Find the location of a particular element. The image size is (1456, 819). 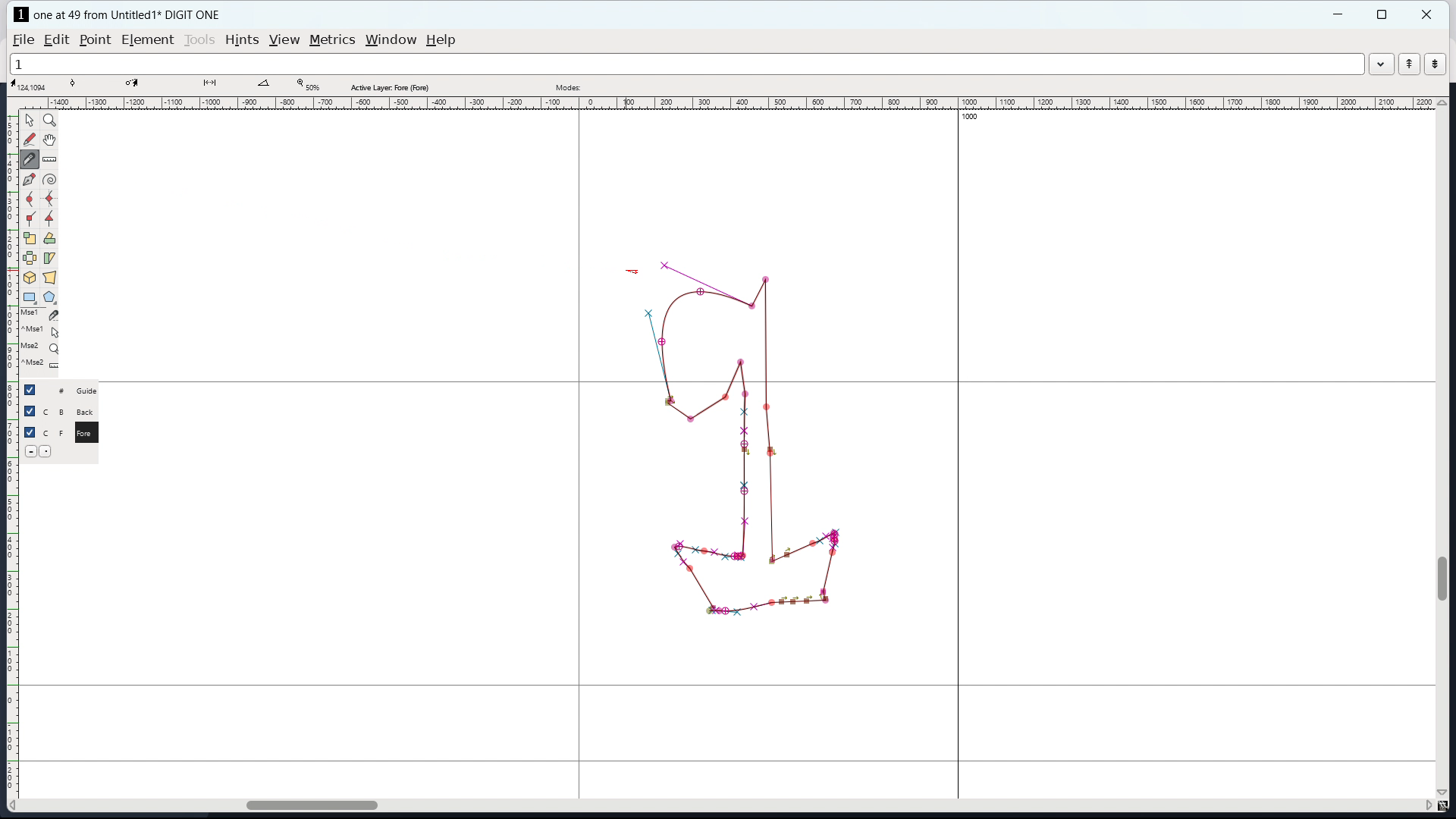

back is located at coordinates (88, 412).